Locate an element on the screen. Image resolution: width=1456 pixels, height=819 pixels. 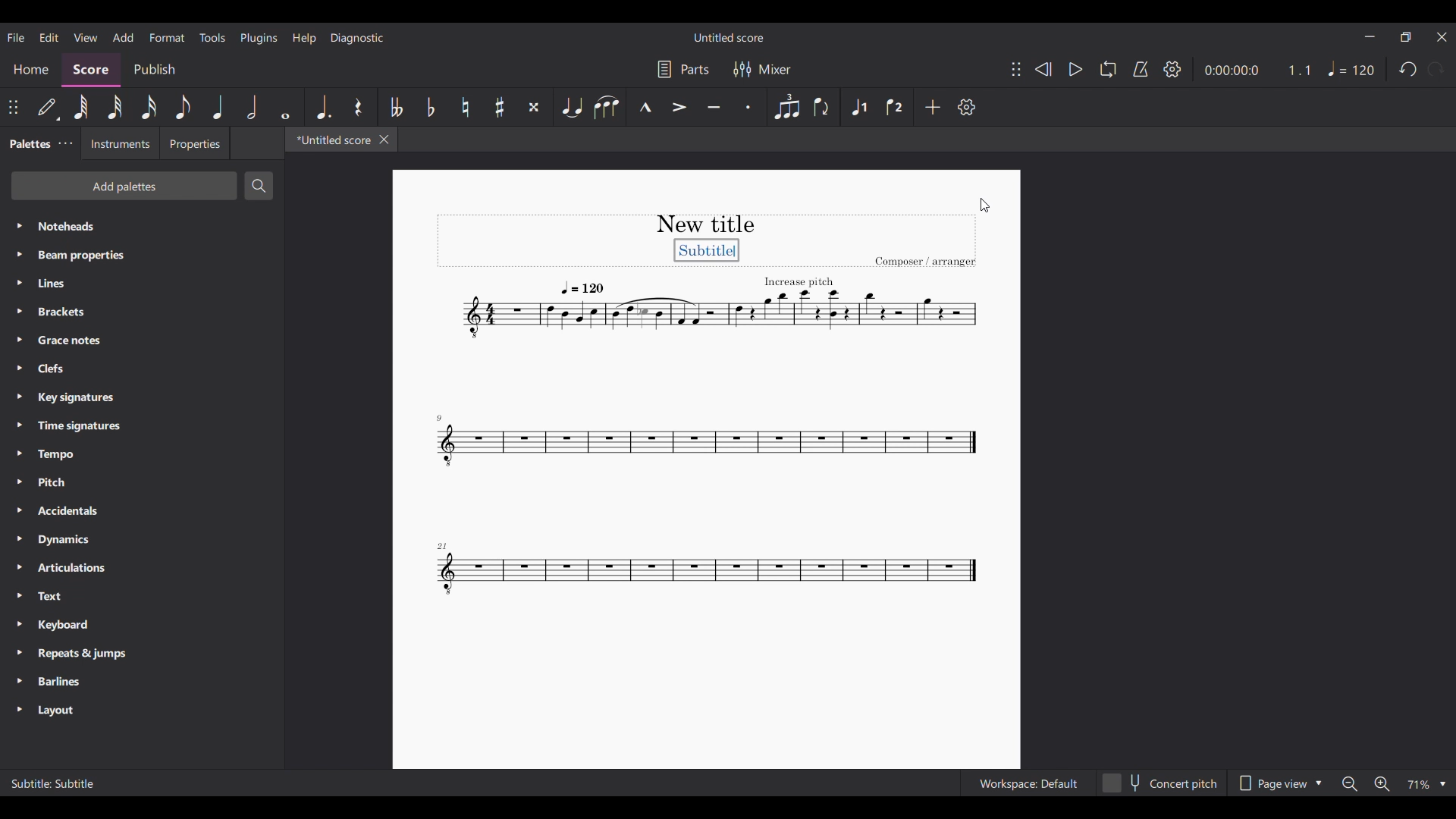
Flip direction is located at coordinates (821, 108).